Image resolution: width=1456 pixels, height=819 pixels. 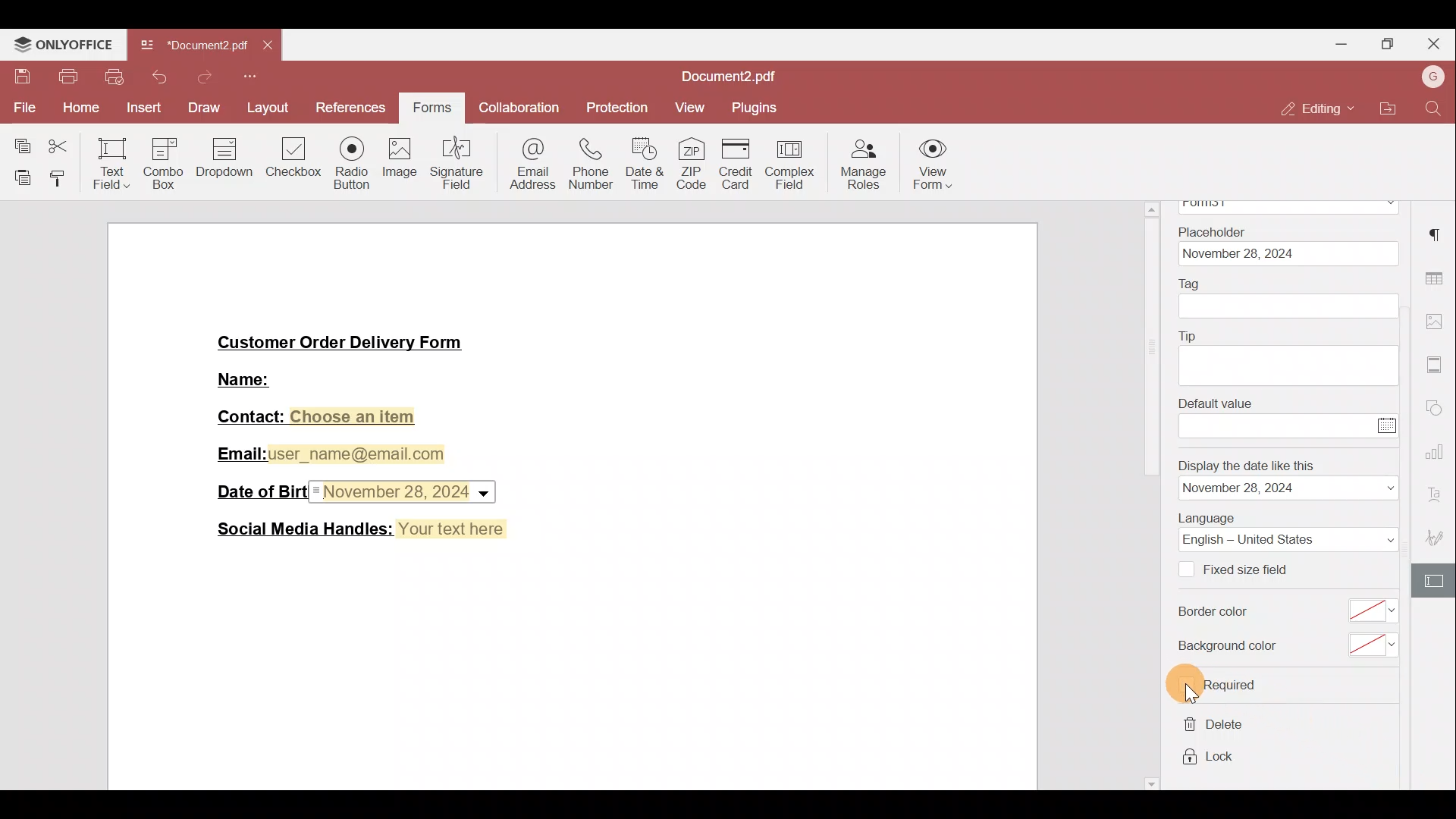 What do you see at coordinates (327, 454) in the screenshot?
I see `Email:user_name@email.com` at bounding box center [327, 454].